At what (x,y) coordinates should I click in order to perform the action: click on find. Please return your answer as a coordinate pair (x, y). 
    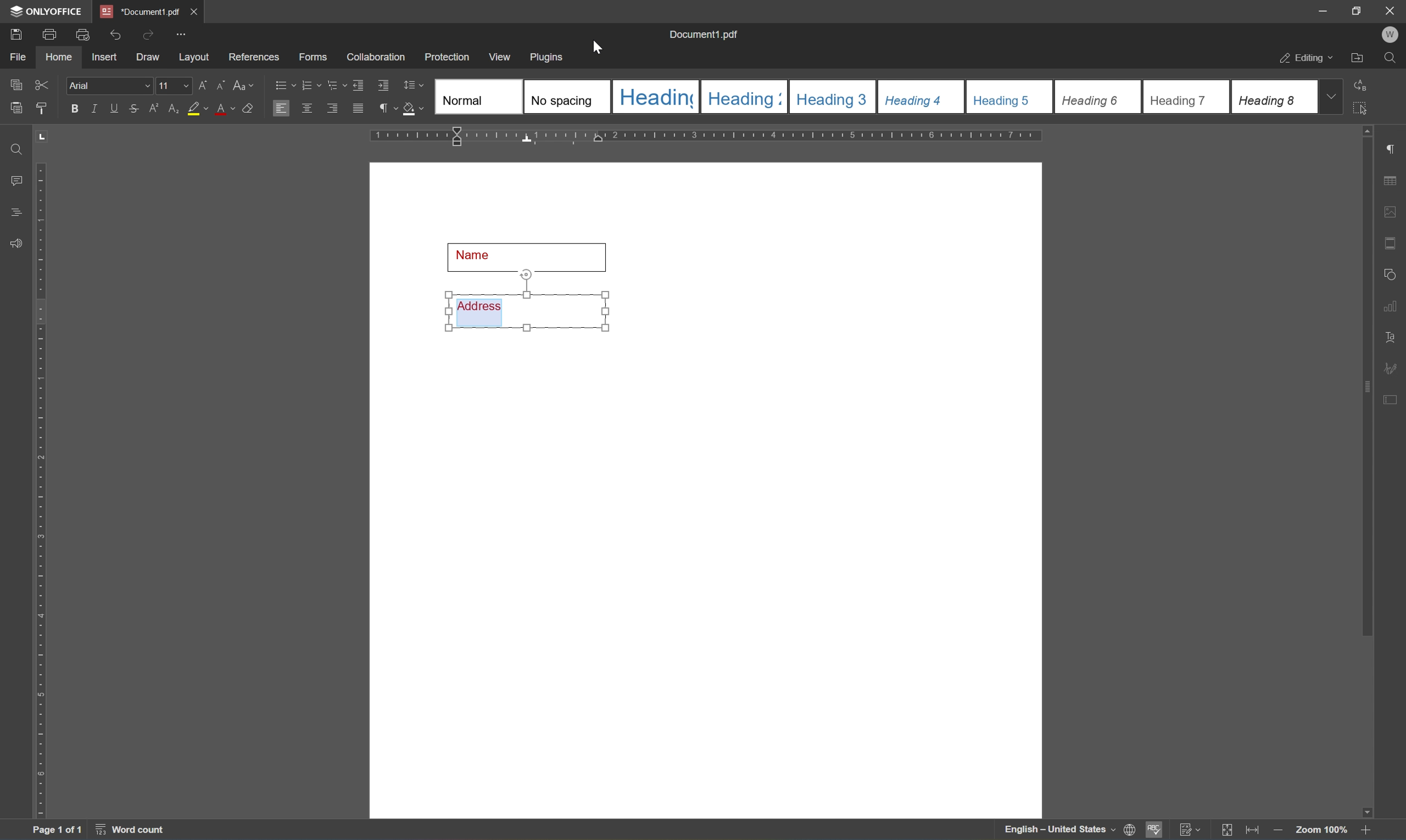
    Looking at the image, I should click on (1390, 58).